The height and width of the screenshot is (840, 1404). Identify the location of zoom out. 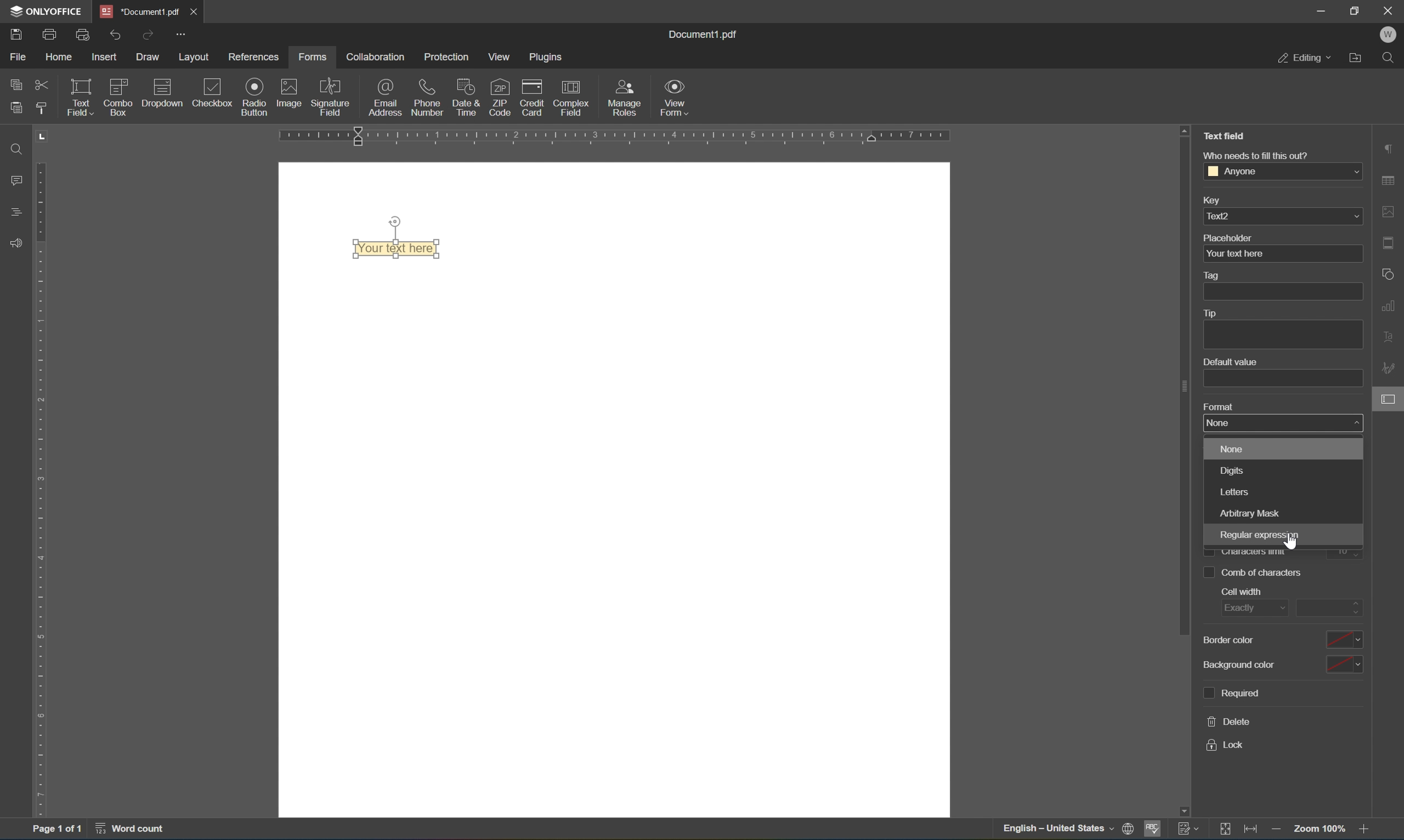
(1278, 830).